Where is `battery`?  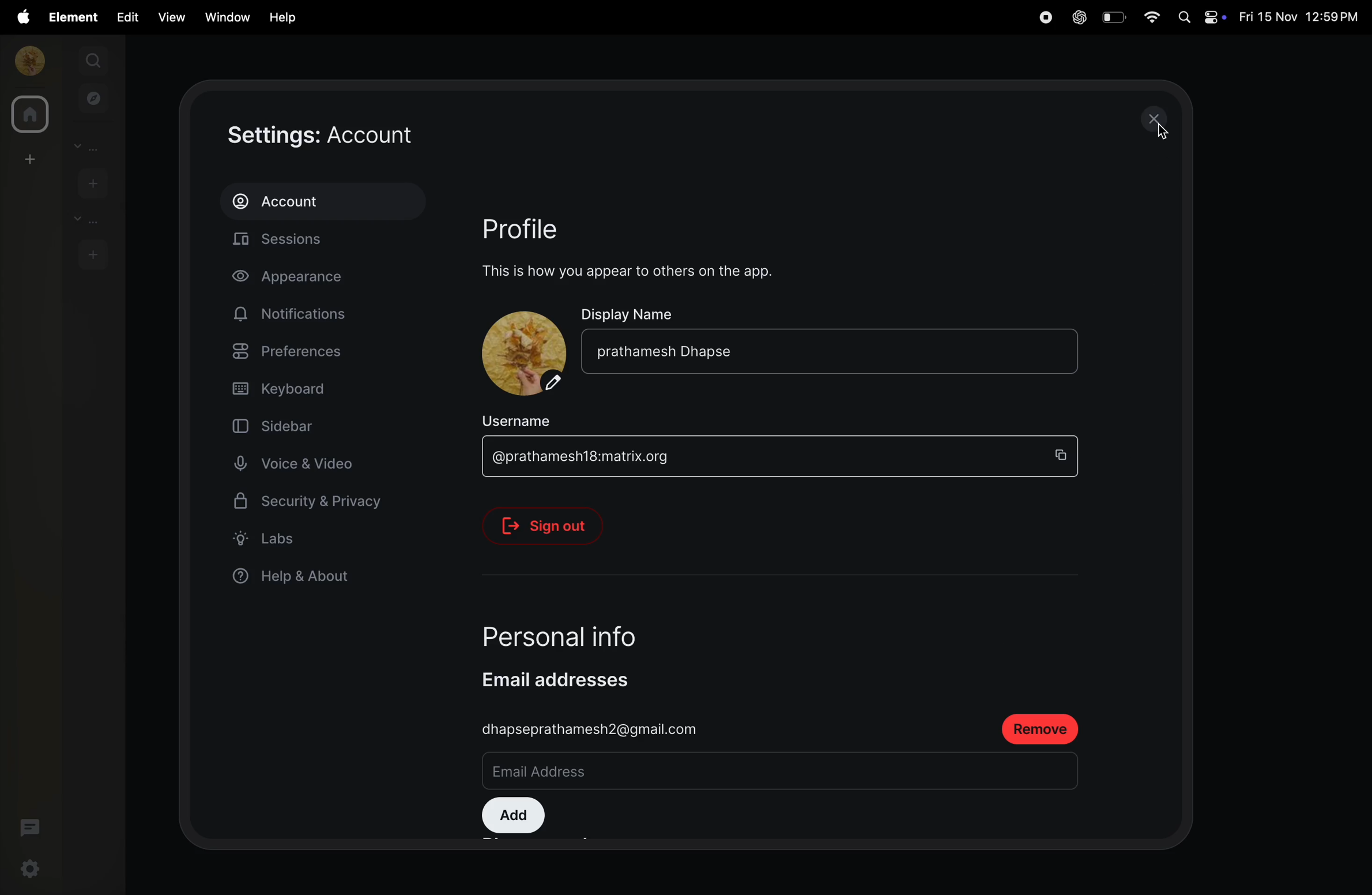
battery is located at coordinates (1113, 17).